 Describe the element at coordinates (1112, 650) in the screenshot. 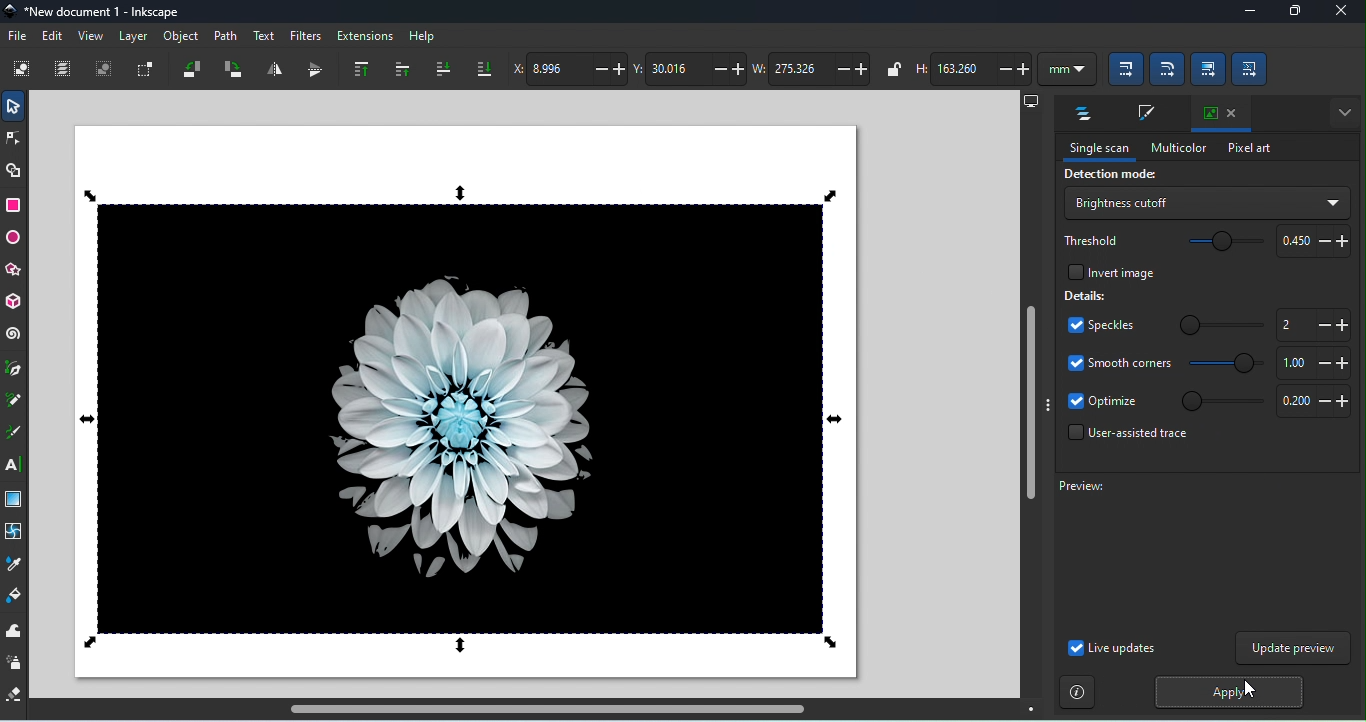

I see `Live updates` at that location.